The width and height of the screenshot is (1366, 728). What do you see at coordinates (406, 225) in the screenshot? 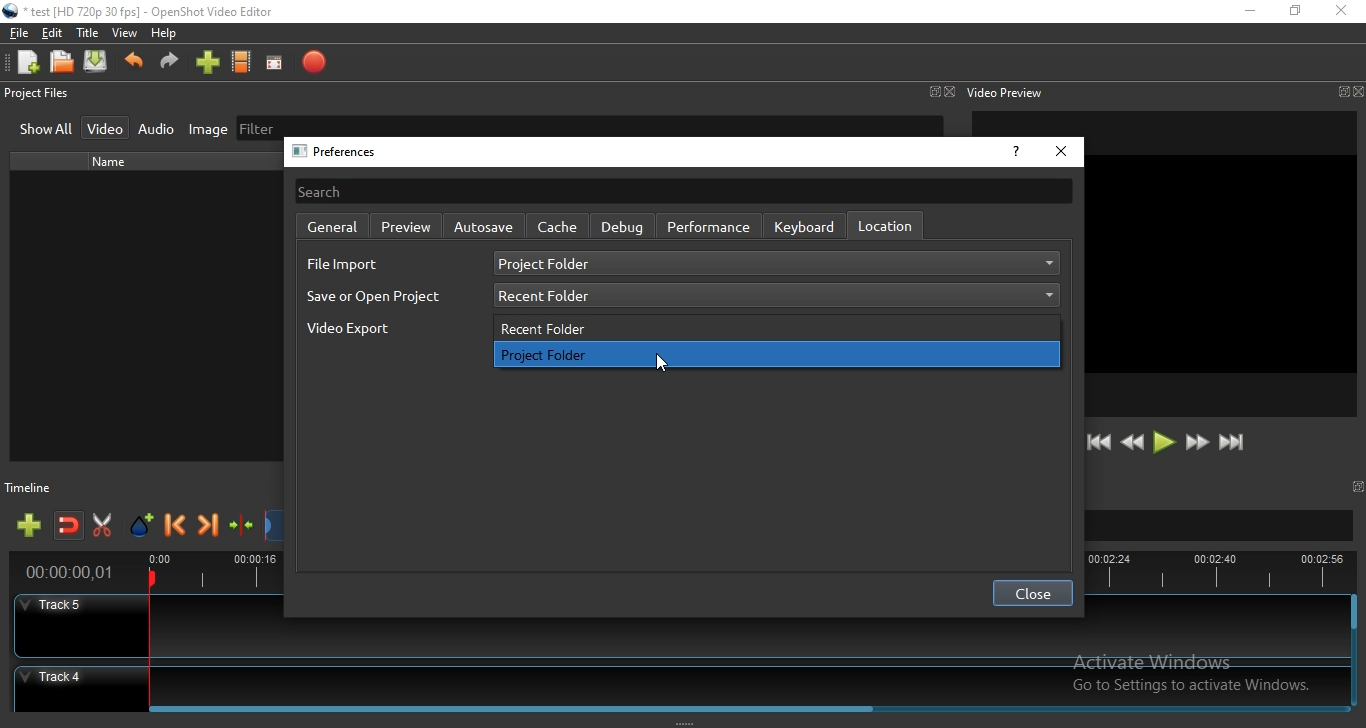
I see `preview` at bounding box center [406, 225].